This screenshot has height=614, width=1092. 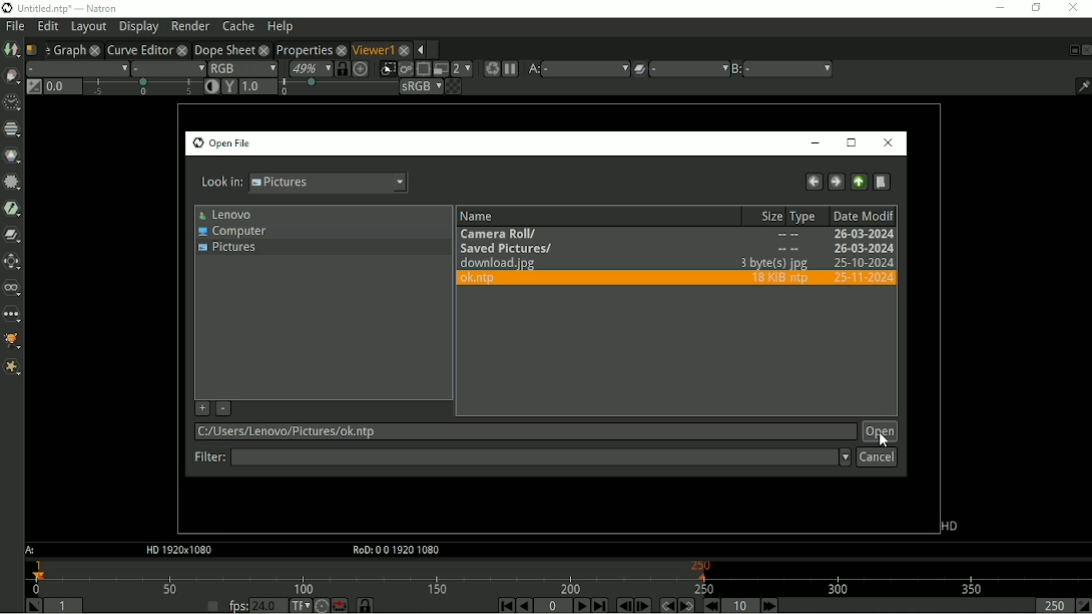 I want to click on close, so click(x=94, y=49).